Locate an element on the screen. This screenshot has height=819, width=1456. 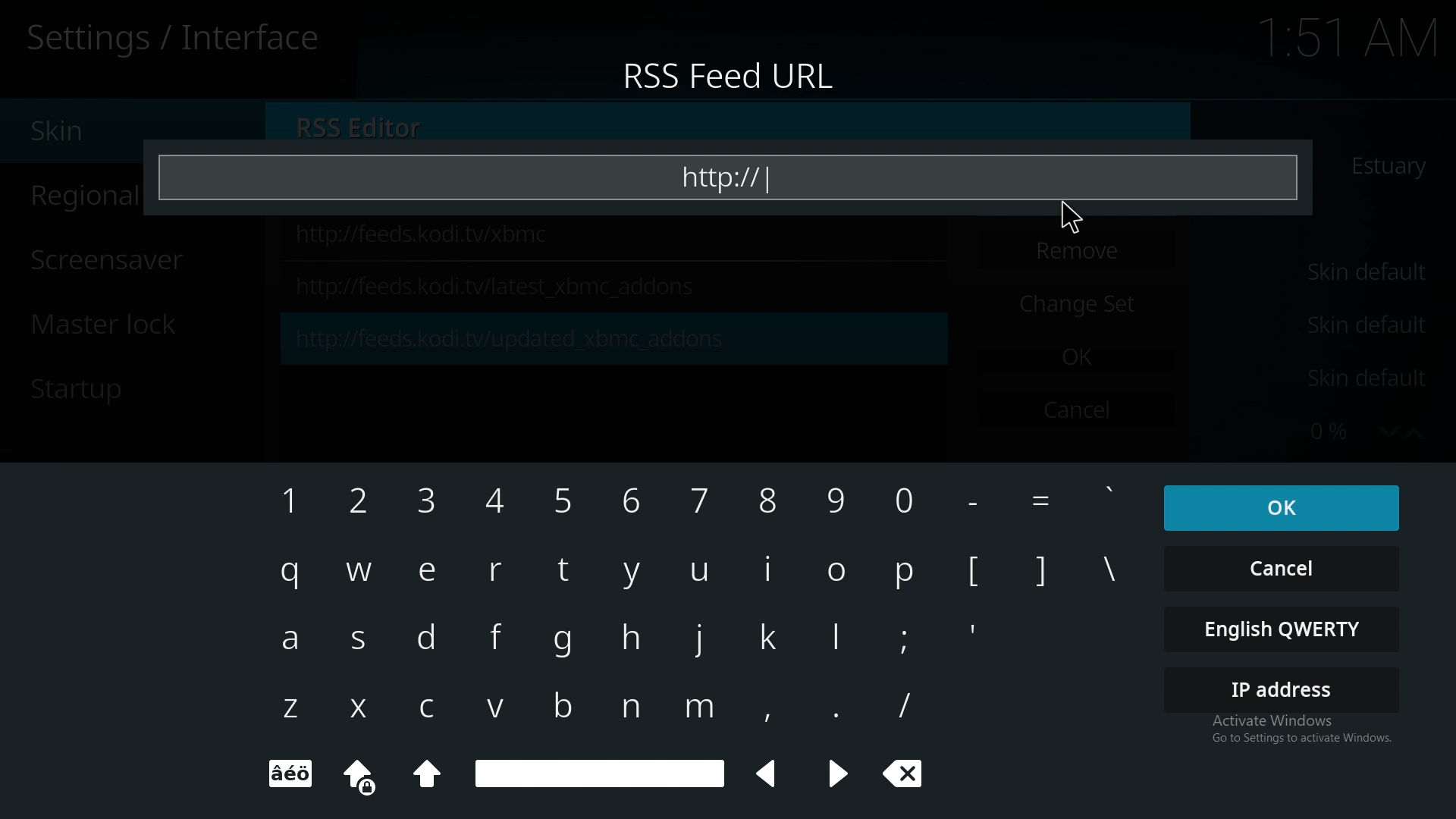
w is located at coordinates (361, 571).